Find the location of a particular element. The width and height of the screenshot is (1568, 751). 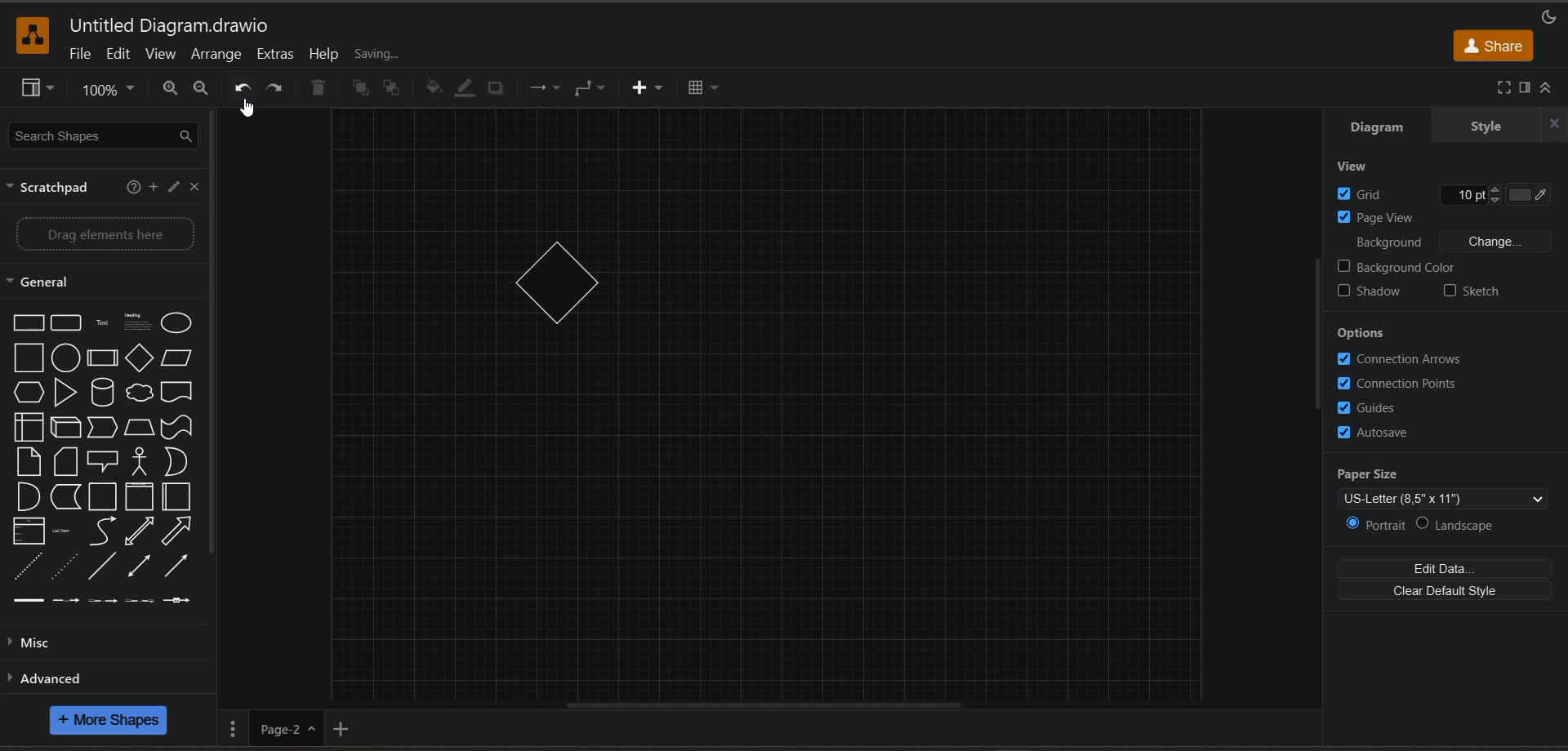

style is located at coordinates (1493, 126).